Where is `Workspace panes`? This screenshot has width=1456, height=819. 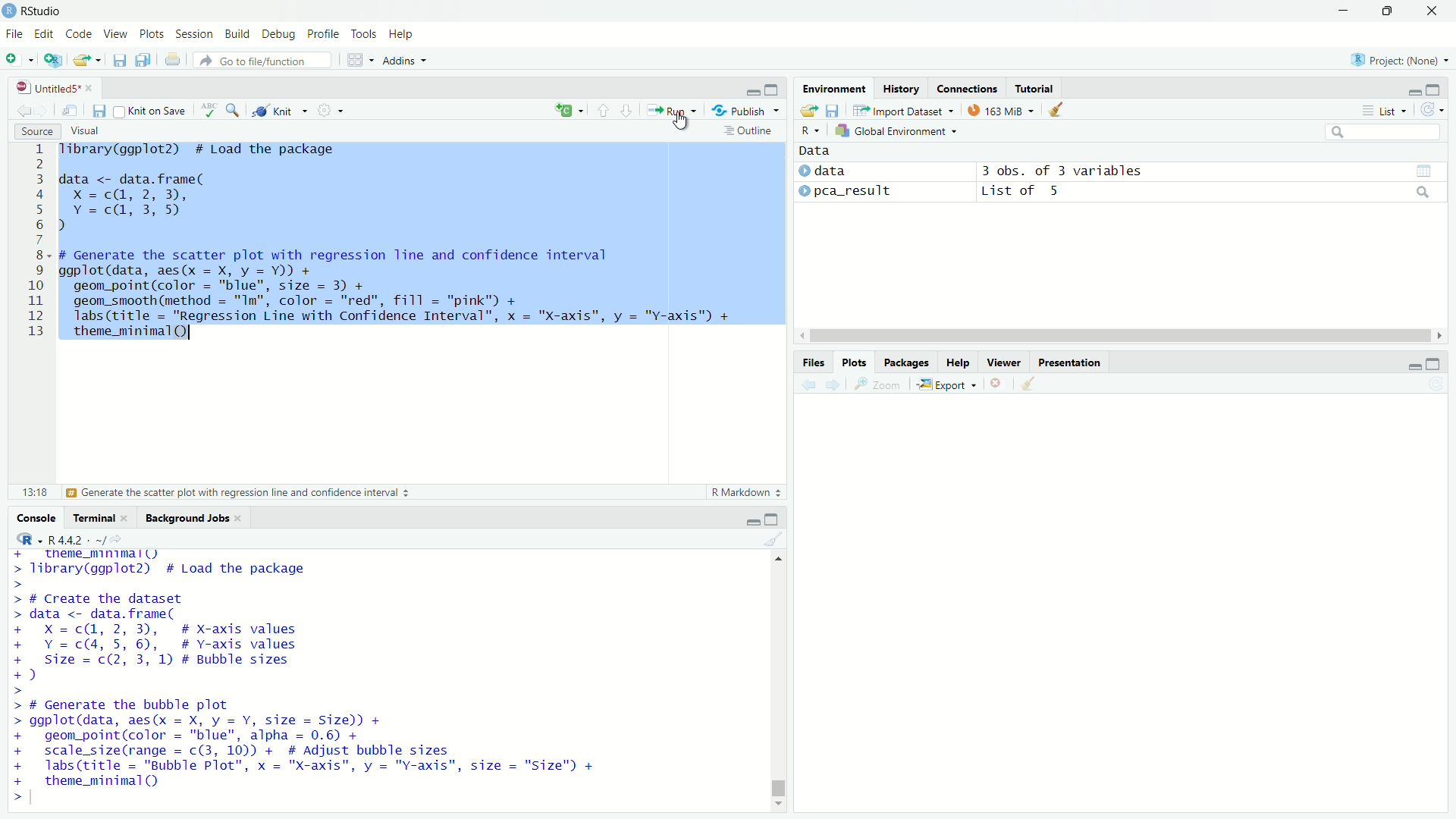 Workspace panes is located at coordinates (359, 60).